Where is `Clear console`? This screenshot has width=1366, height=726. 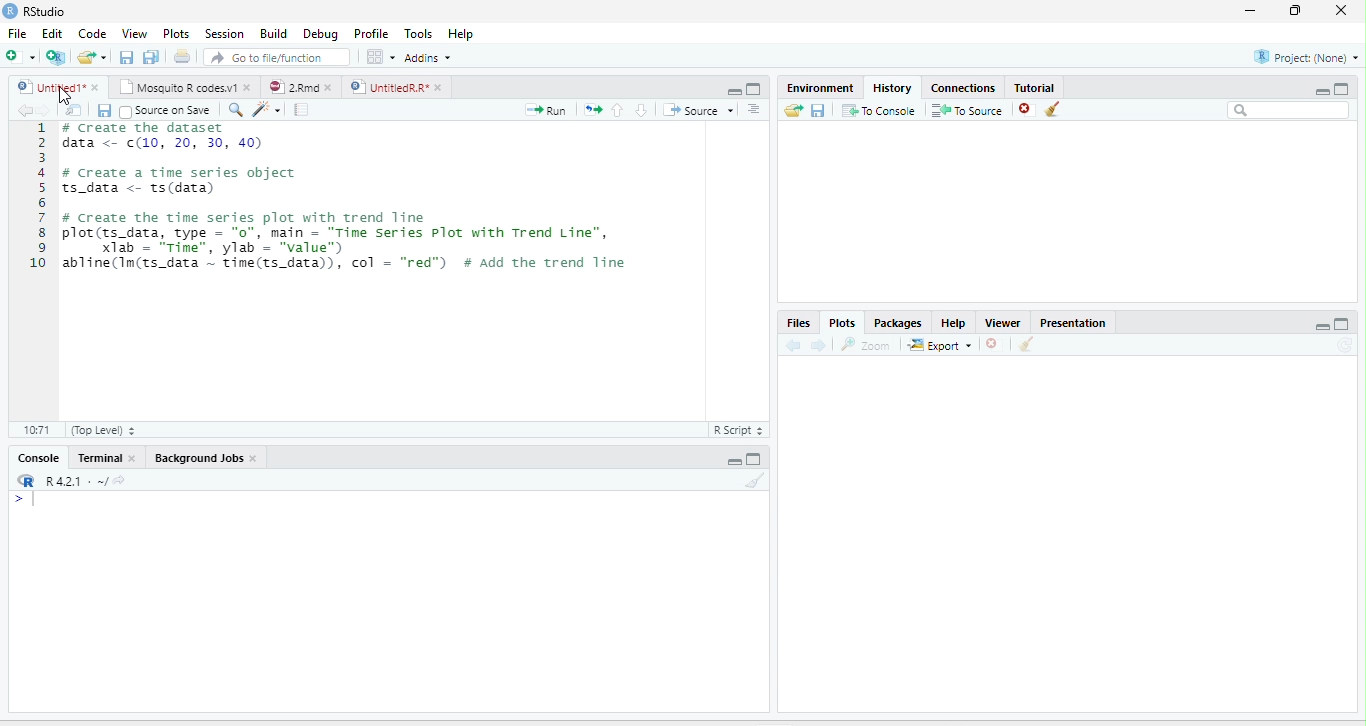
Clear console is located at coordinates (756, 480).